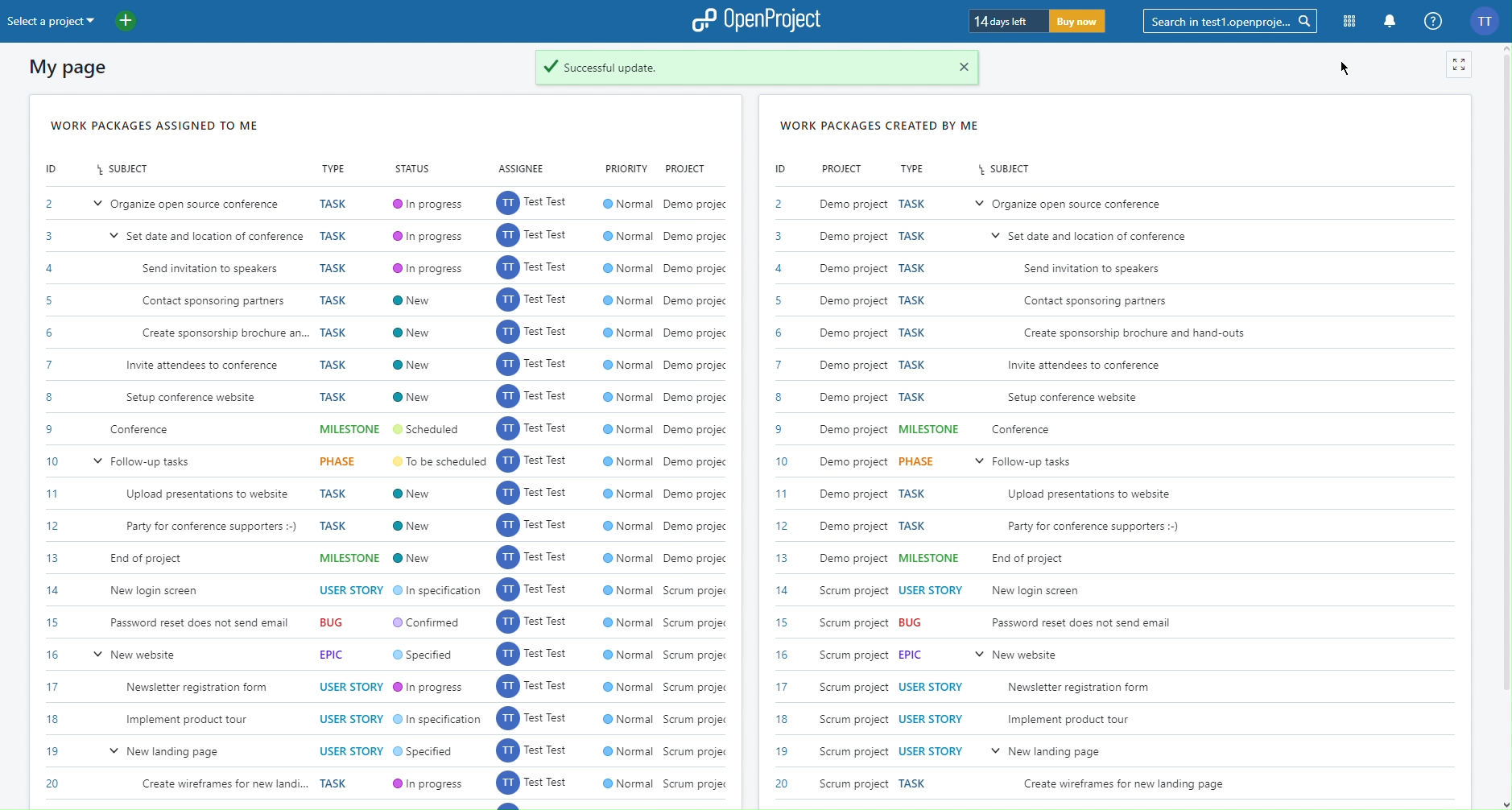  Describe the element at coordinates (696, 379) in the screenshot. I see `Demo project` at that location.